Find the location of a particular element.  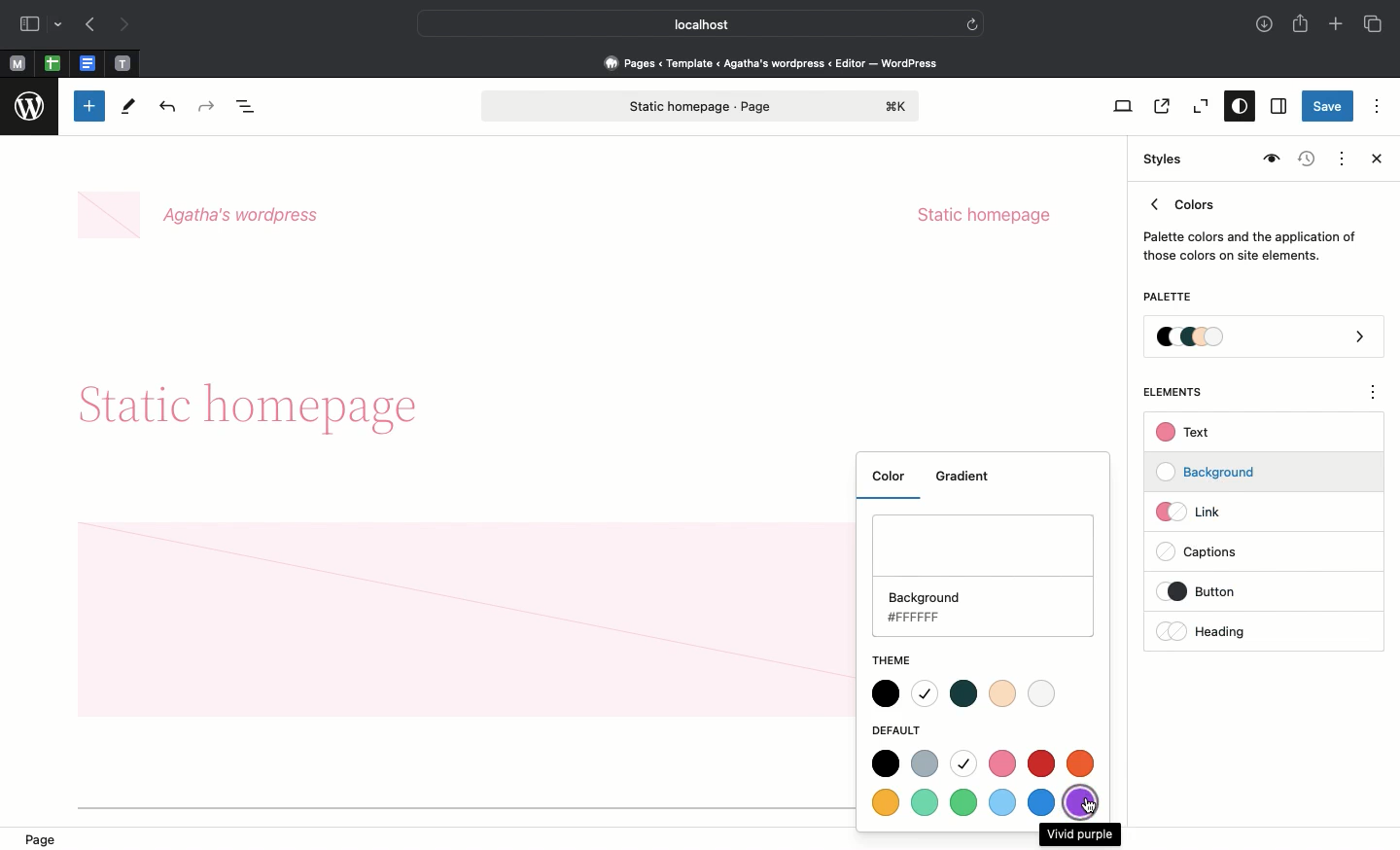

Static homepage is located at coordinates (984, 215).